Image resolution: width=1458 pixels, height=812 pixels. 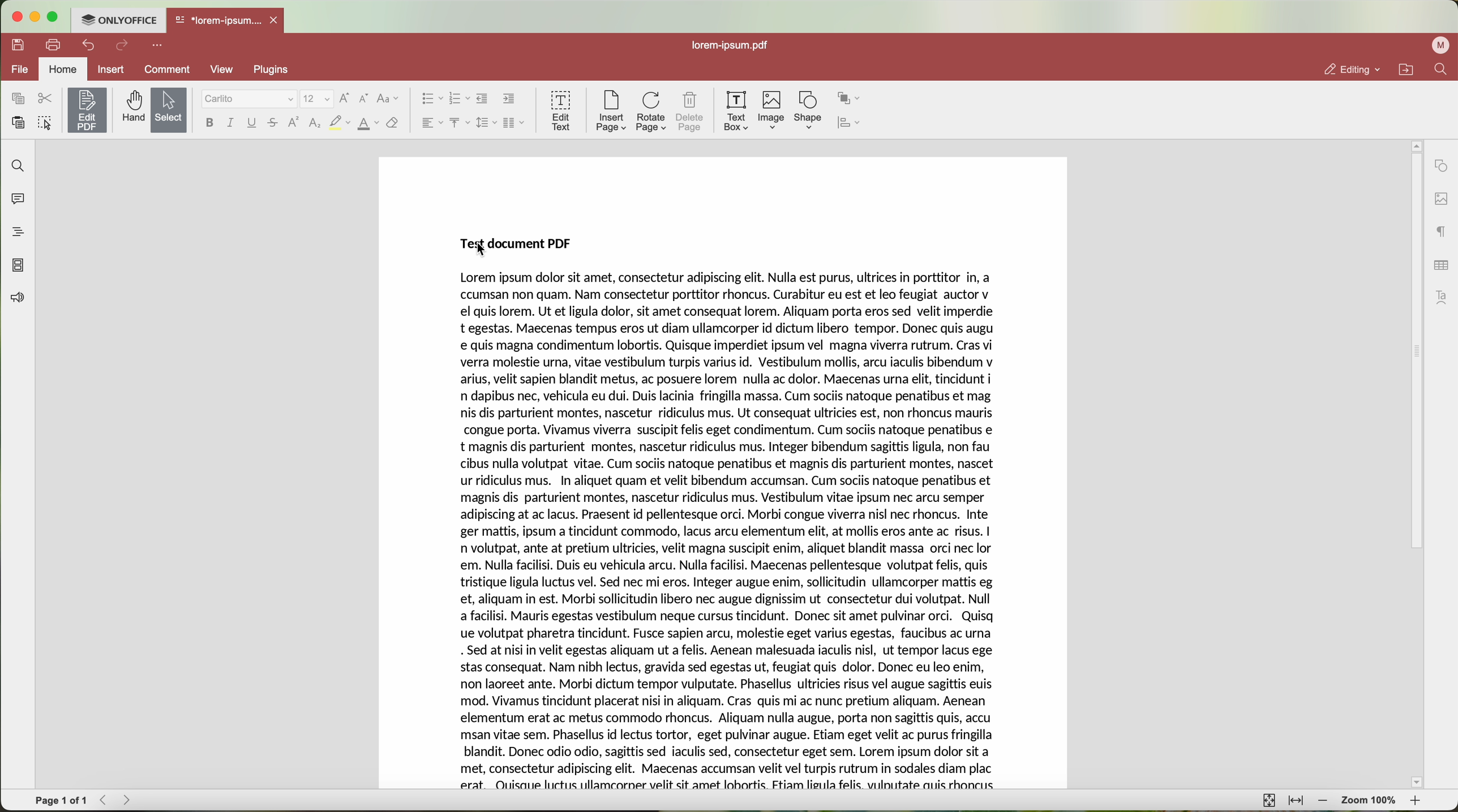 I want to click on insert columns, so click(x=516, y=123).